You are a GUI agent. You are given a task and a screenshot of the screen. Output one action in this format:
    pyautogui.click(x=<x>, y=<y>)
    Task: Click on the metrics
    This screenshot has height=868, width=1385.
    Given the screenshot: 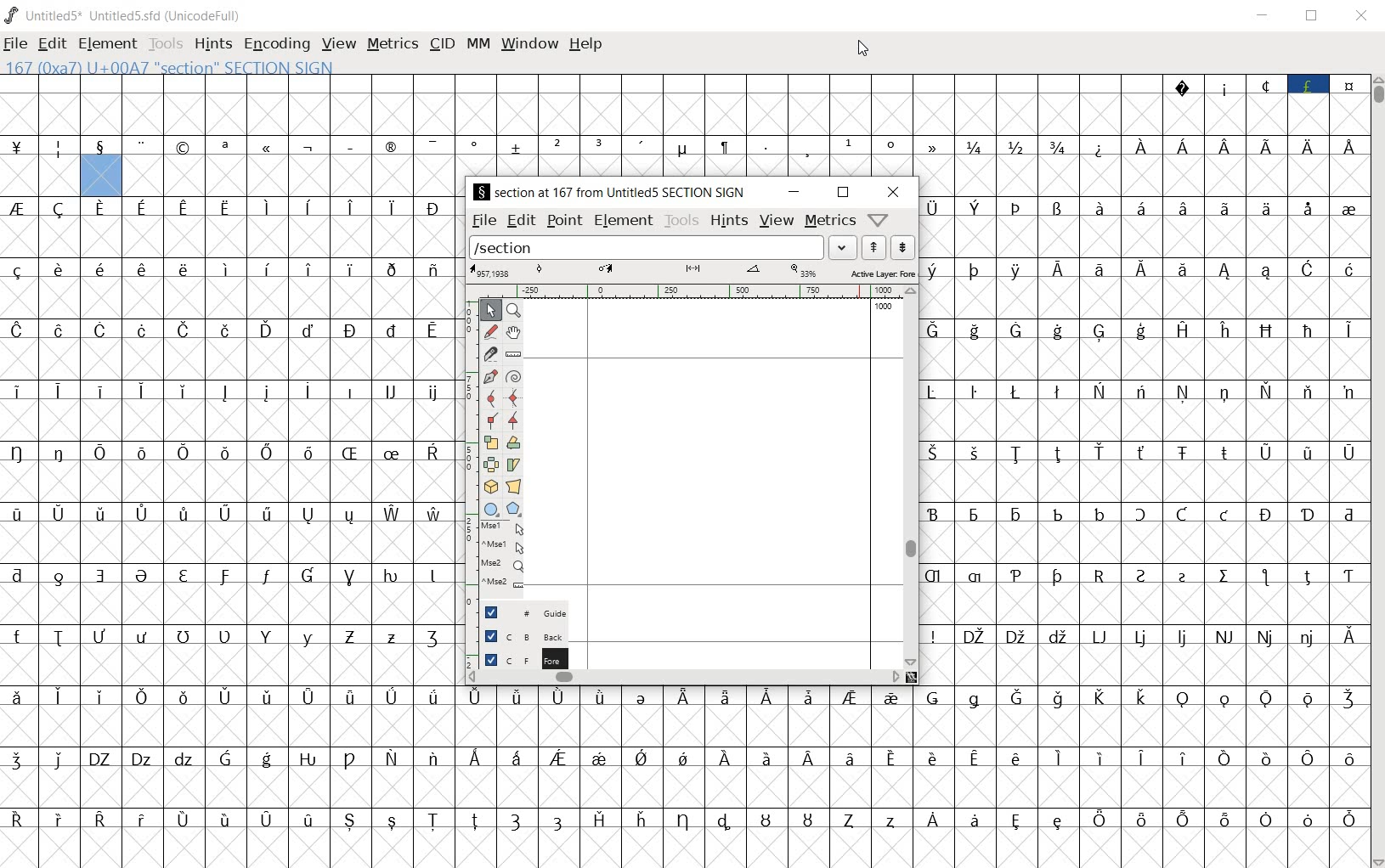 What is the action you would take?
    pyautogui.click(x=829, y=221)
    